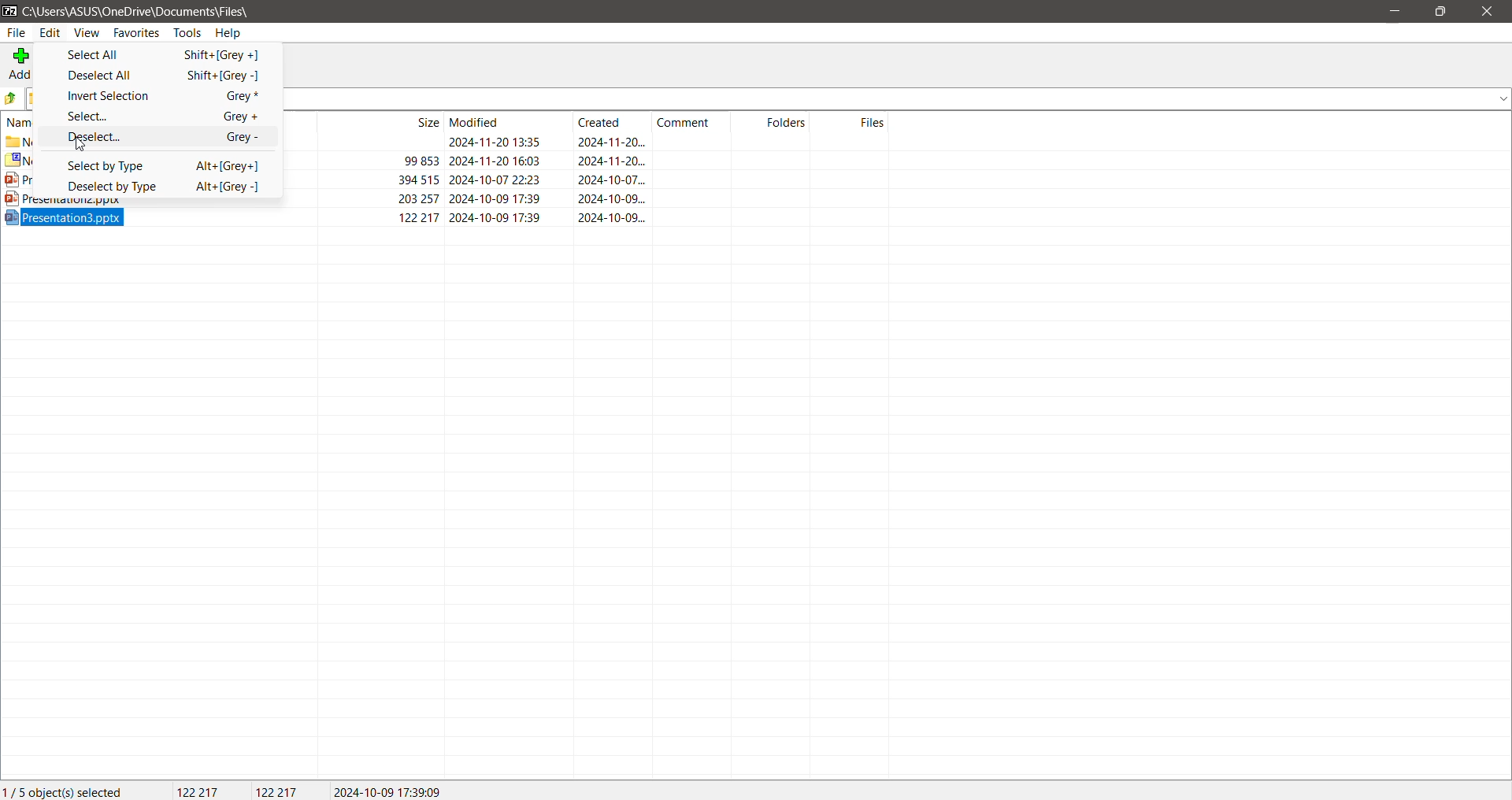  Describe the element at coordinates (502, 122) in the screenshot. I see `Files Modified Date` at that location.